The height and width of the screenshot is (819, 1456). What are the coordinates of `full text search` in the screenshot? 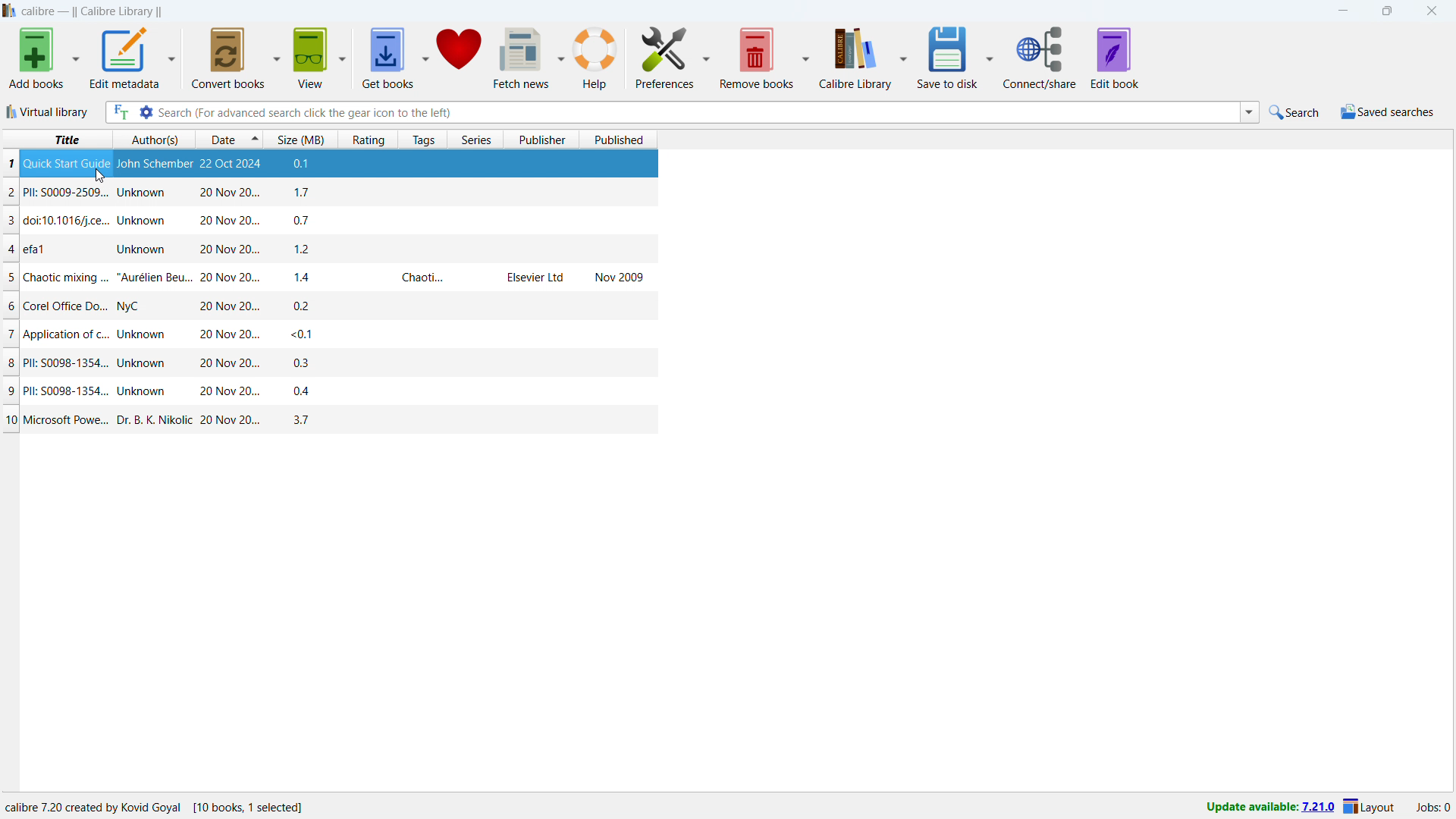 It's located at (117, 112).